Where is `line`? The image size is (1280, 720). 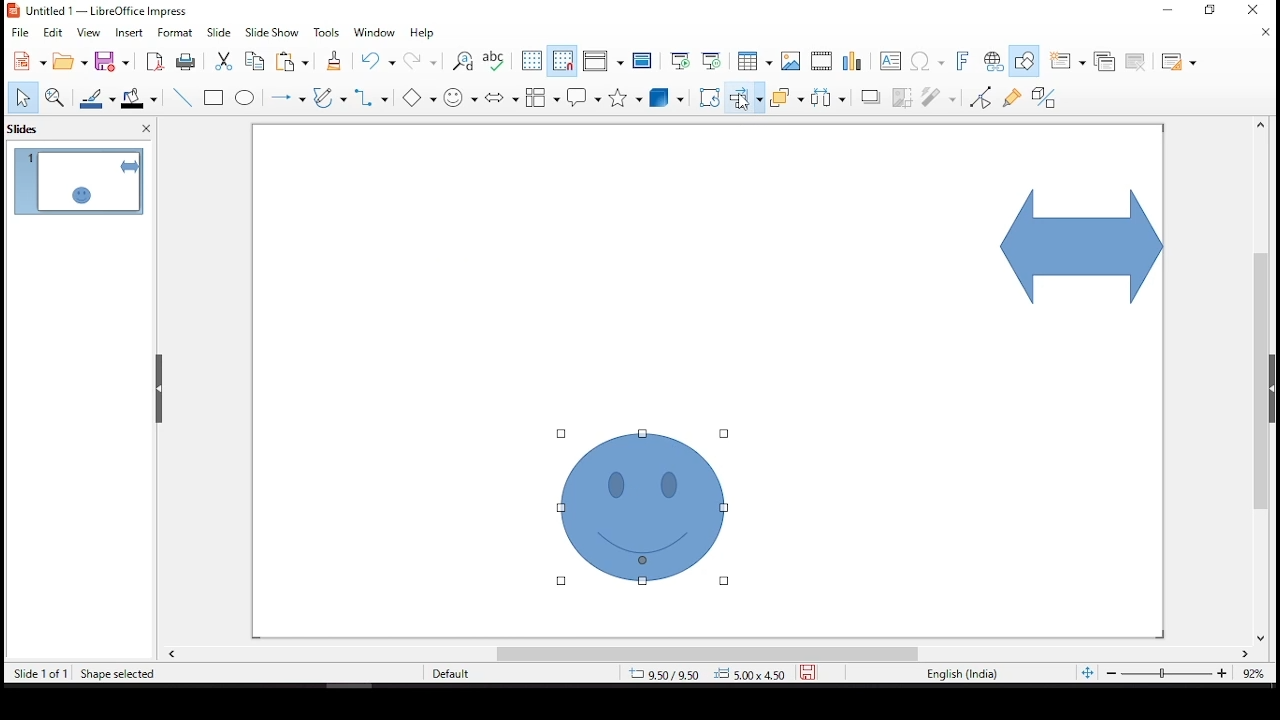 line is located at coordinates (182, 98).